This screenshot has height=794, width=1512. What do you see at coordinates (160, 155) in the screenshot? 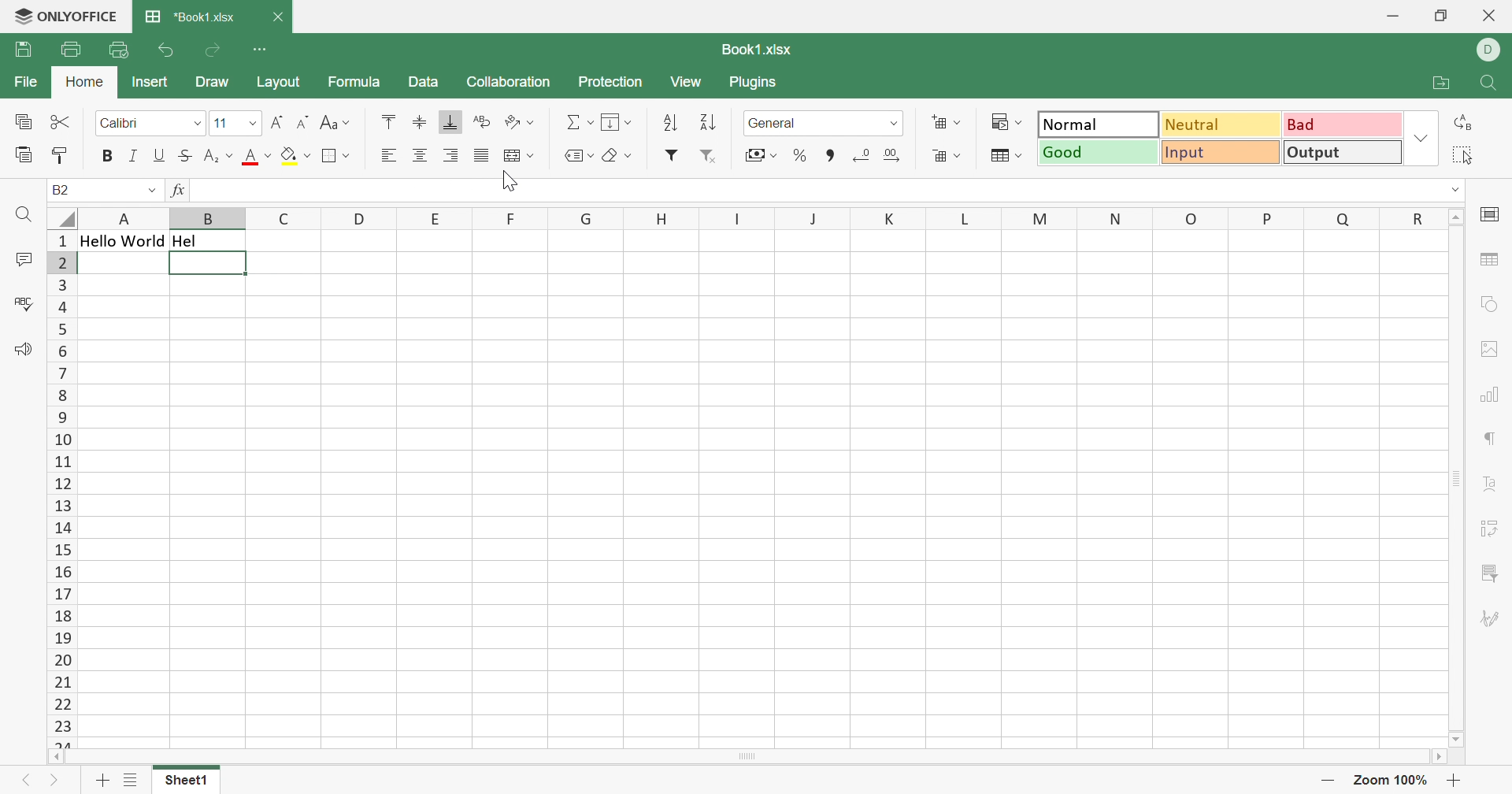
I see `Underline` at bounding box center [160, 155].